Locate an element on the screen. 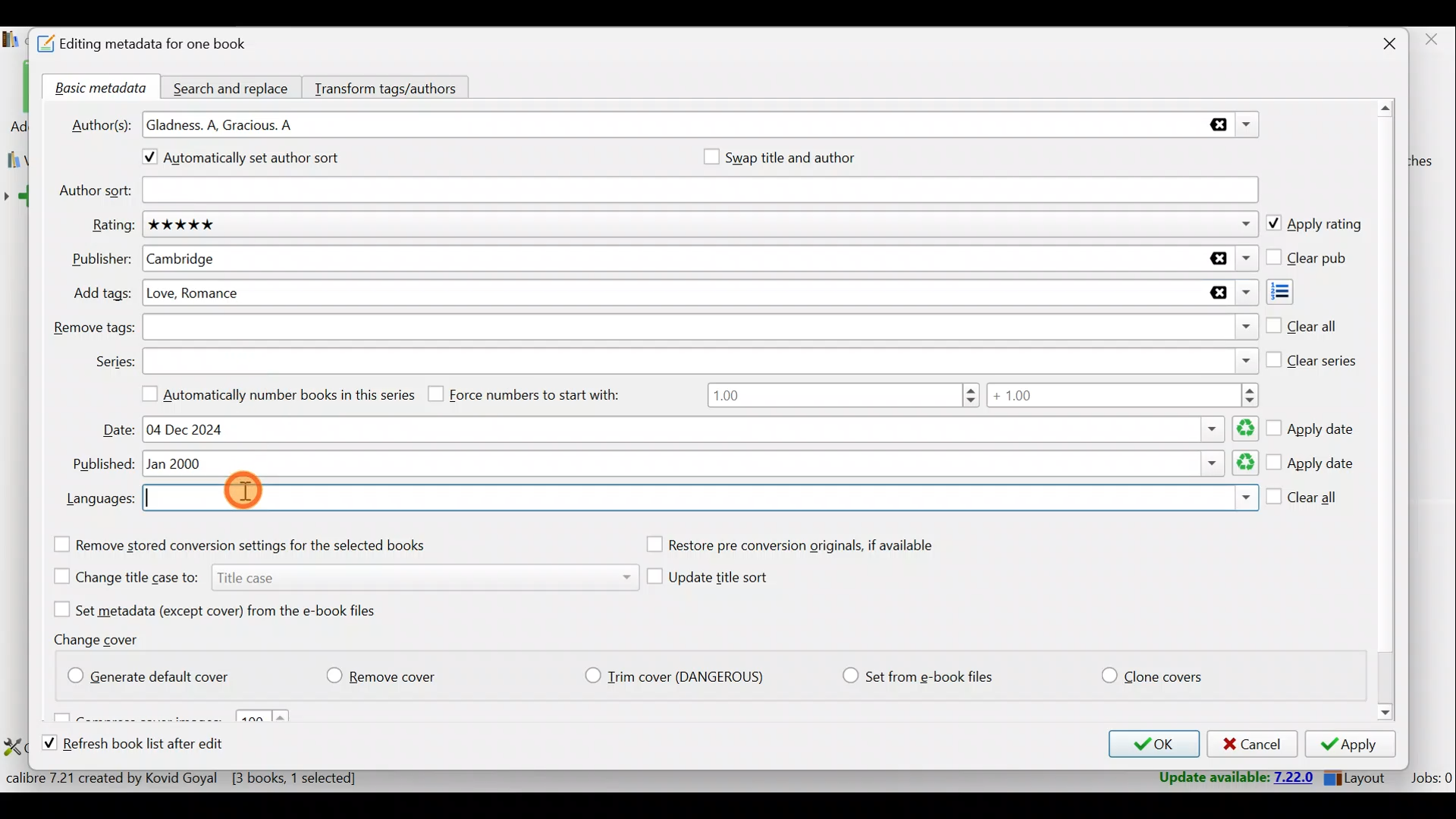 The width and height of the screenshot is (1456, 819). Remove tags: is located at coordinates (93, 328).